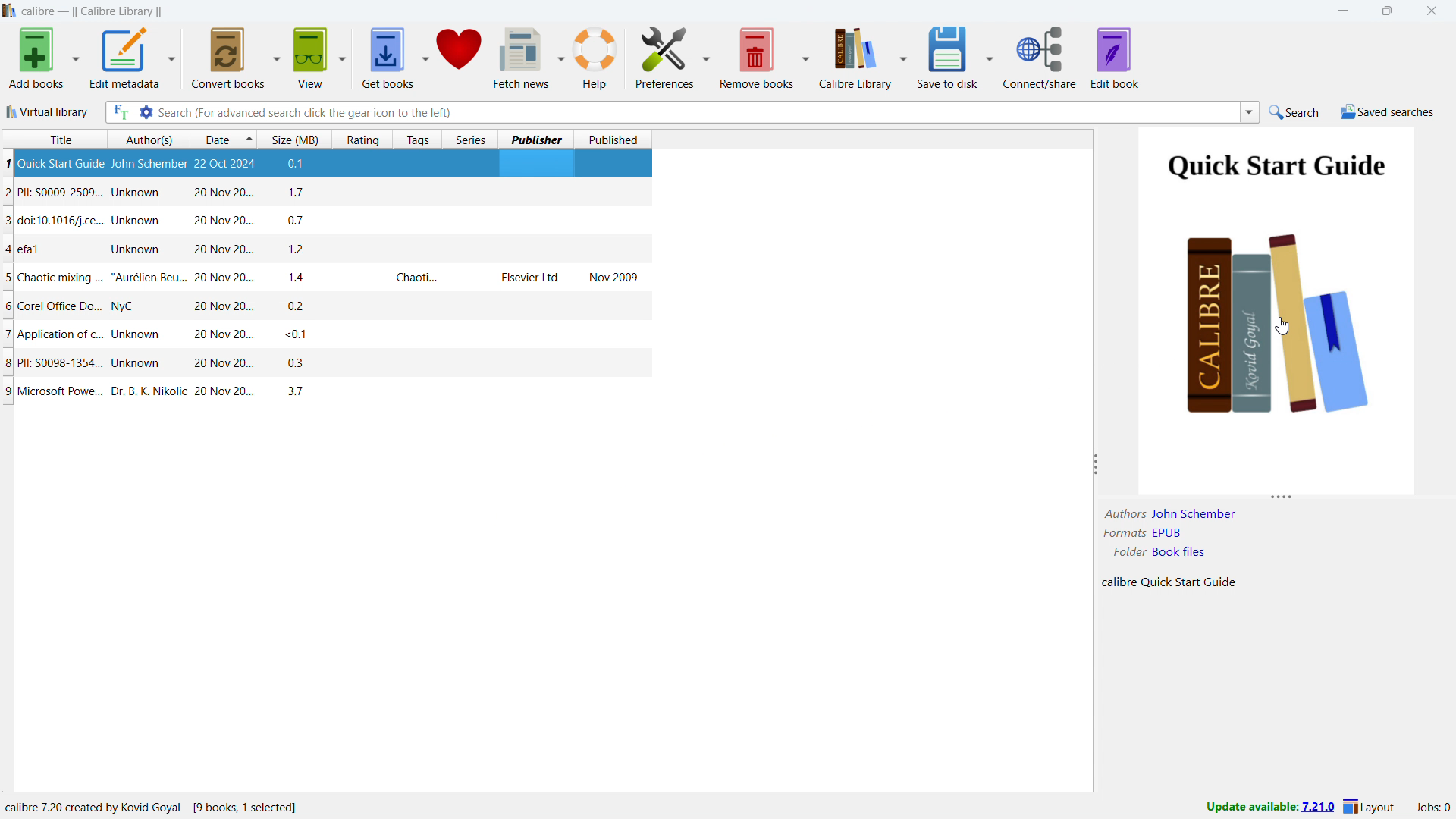 The height and width of the screenshot is (819, 1456). Describe the element at coordinates (1123, 513) in the screenshot. I see `Author` at that location.